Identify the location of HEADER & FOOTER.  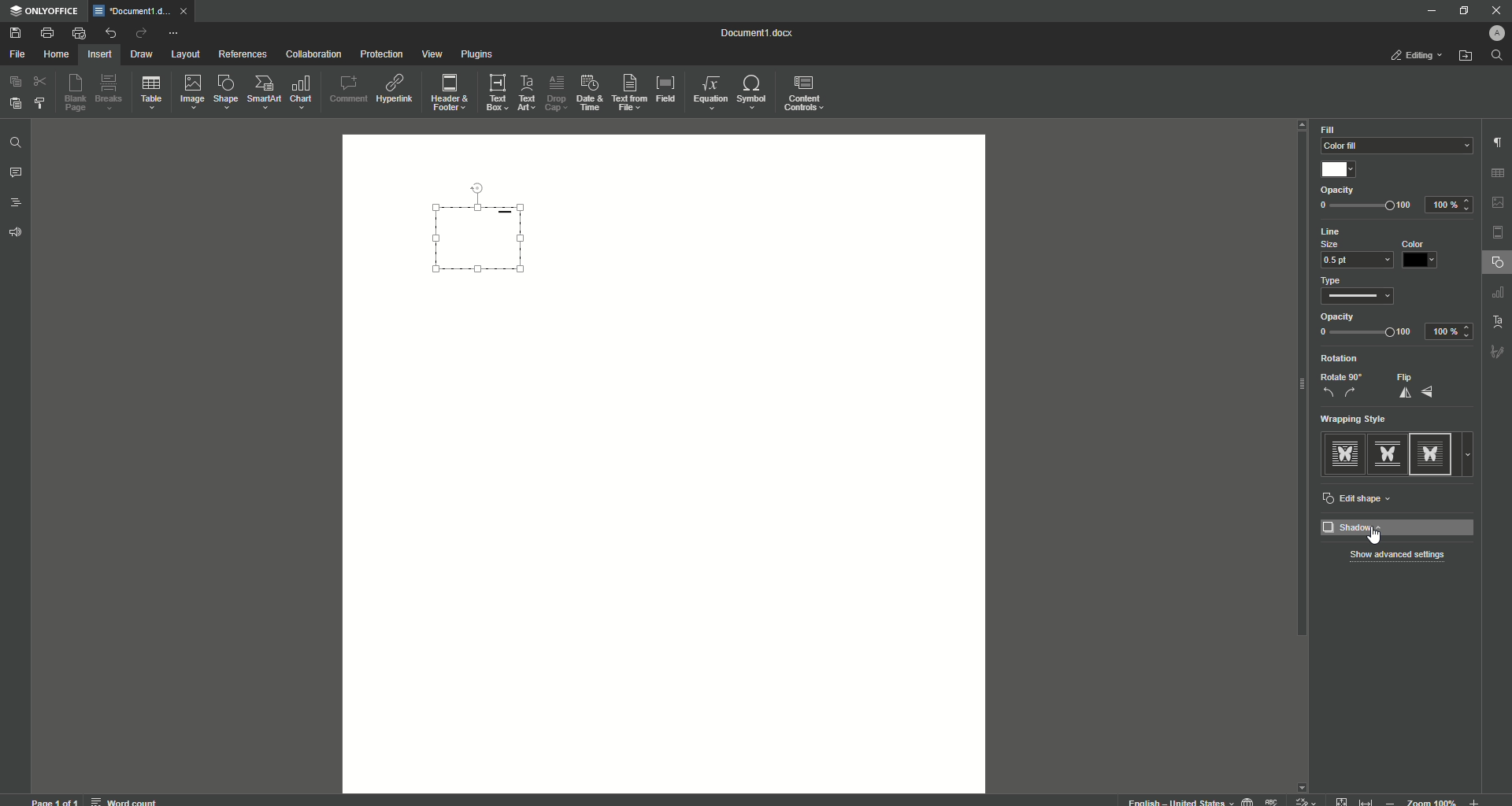
(1498, 233).